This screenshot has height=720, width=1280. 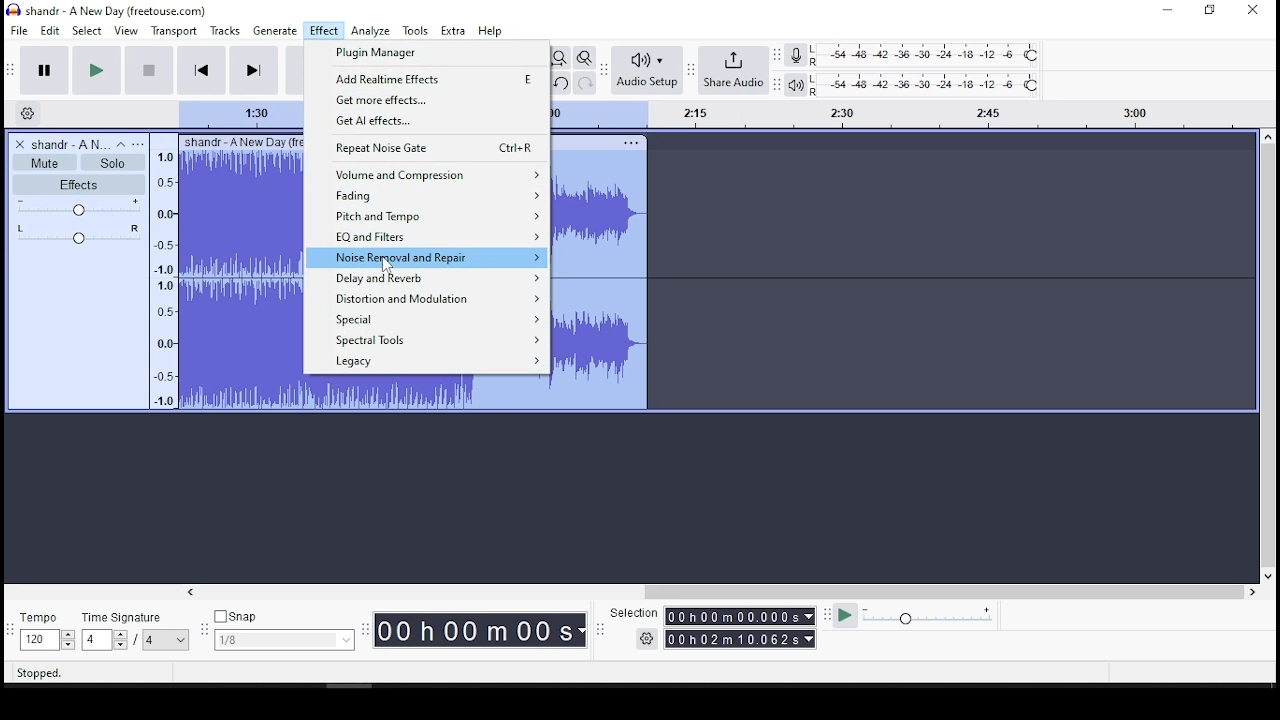 I want to click on redo, so click(x=585, y=82).